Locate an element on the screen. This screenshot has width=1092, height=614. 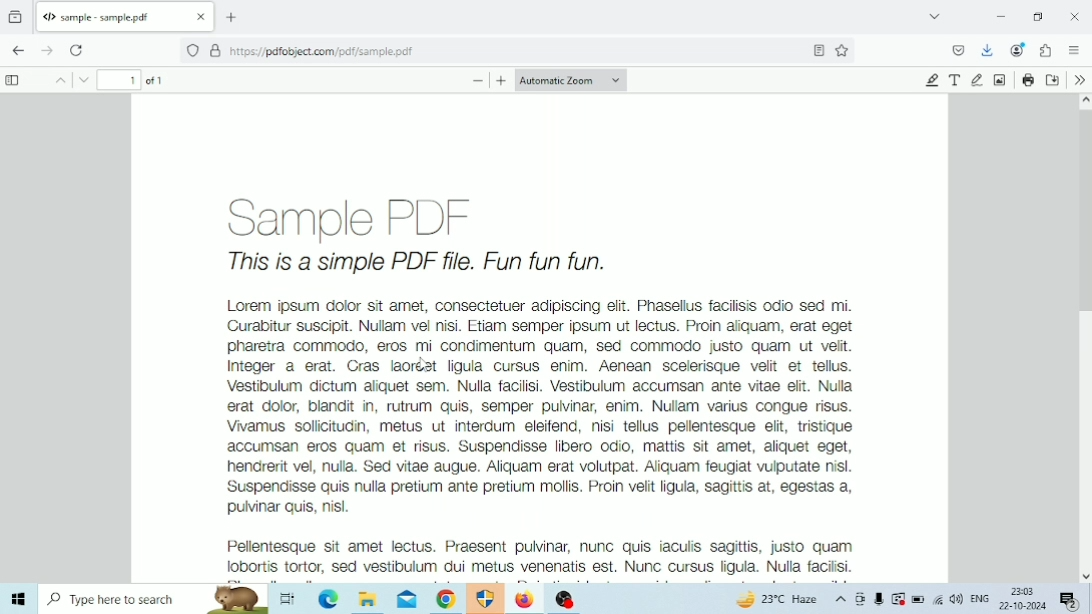
PDF Content is located at coordinates (540, 339).